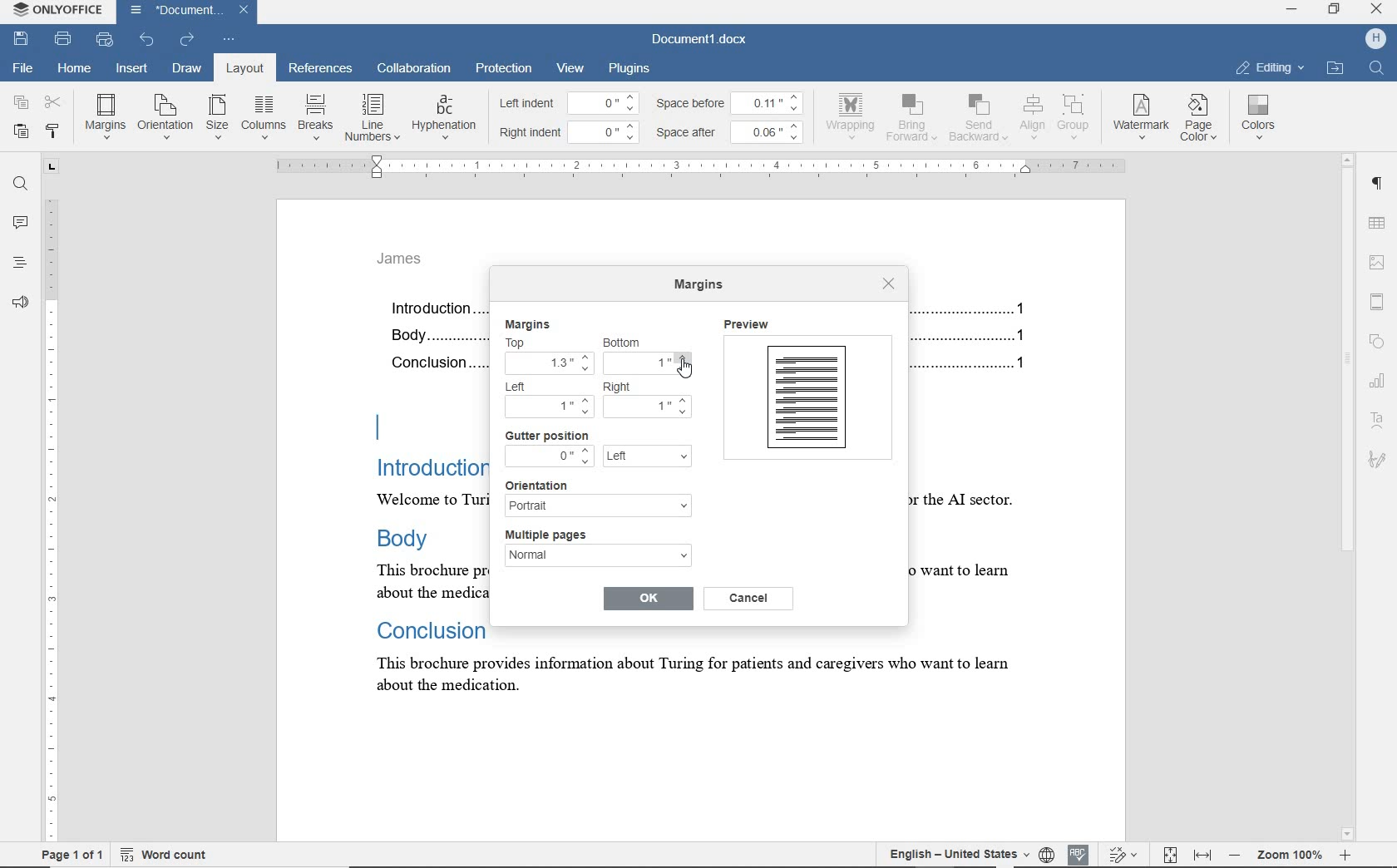  What do you see at coordinates (626, 342) in the screenshot?
I see `bottom` at bounding box center [626, 342].